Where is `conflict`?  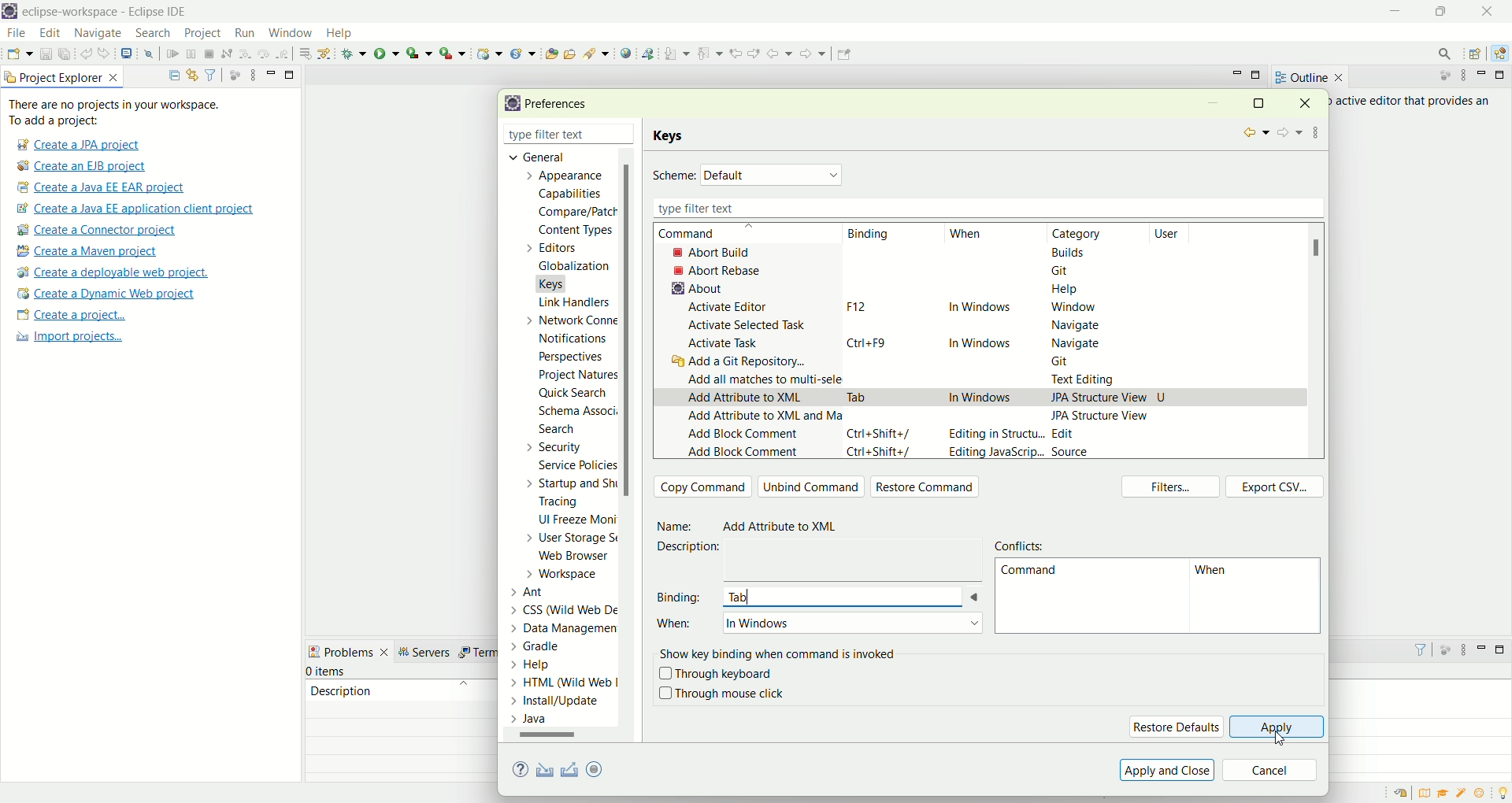 conflict is located at coordinates (1023, 544).